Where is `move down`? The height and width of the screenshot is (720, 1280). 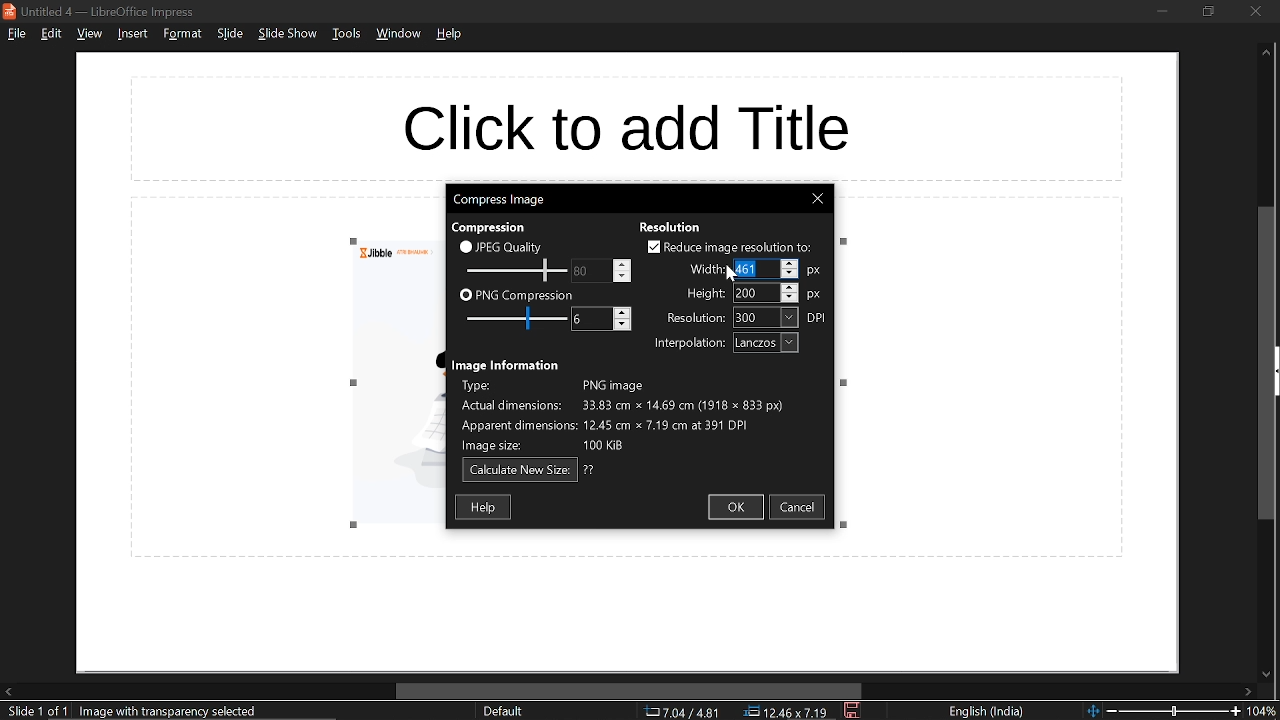 move down is located at coordinates (1264, 672).